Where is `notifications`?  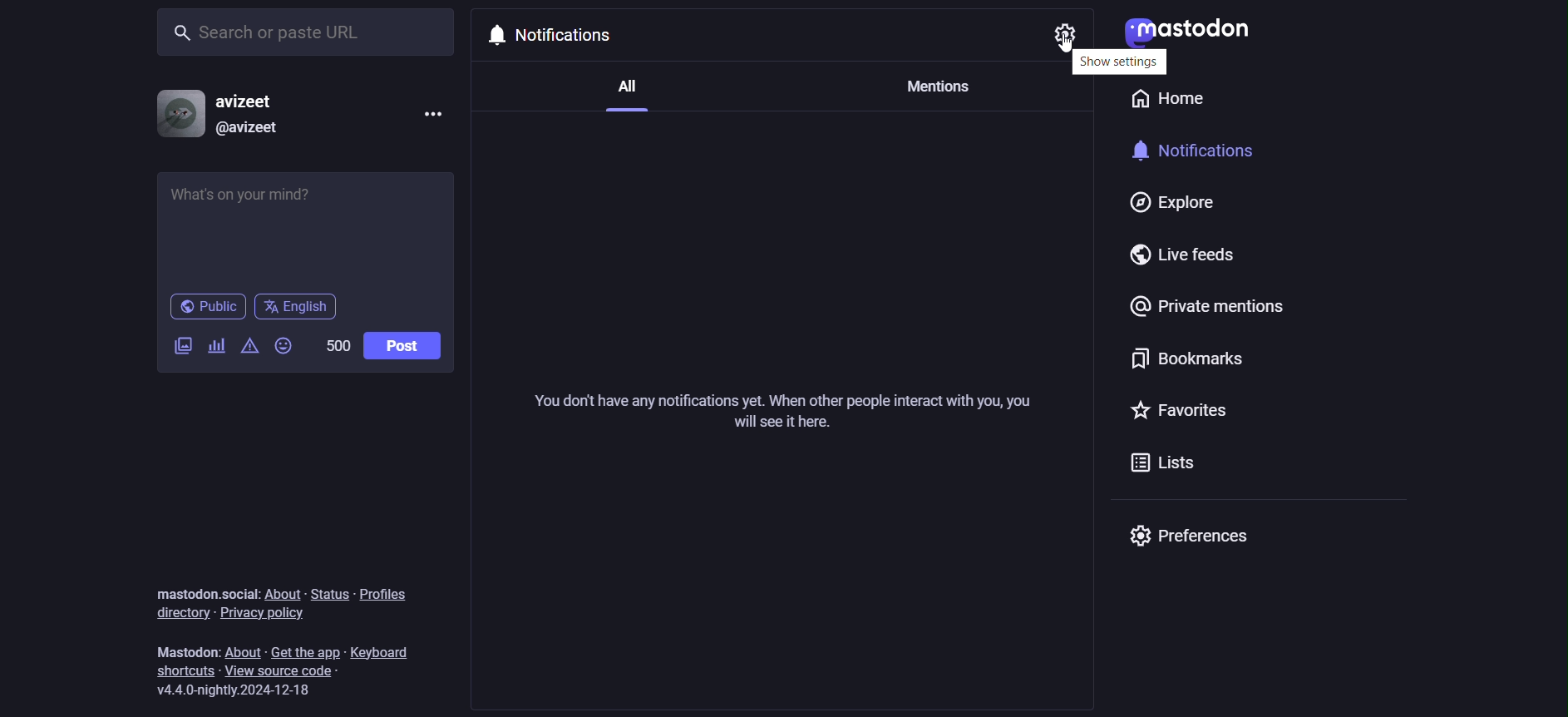 notifications is located at coordinates (1196, 154).